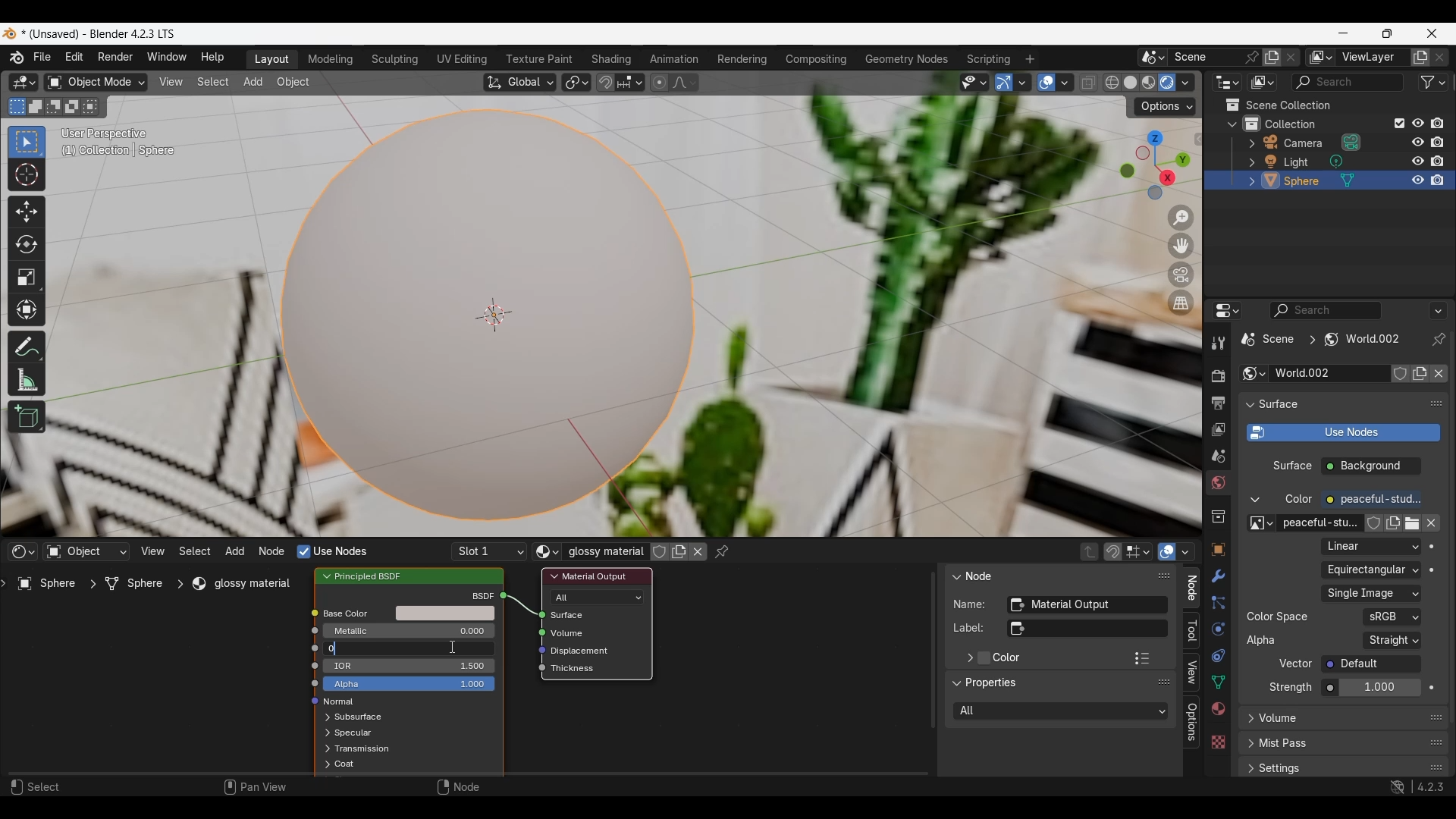 The image size is (1456, 819). What do you see at coordinates (1416, 180) in the screenshot?
I see `respectively hide in viewport` at bounding box center [1416, 180].